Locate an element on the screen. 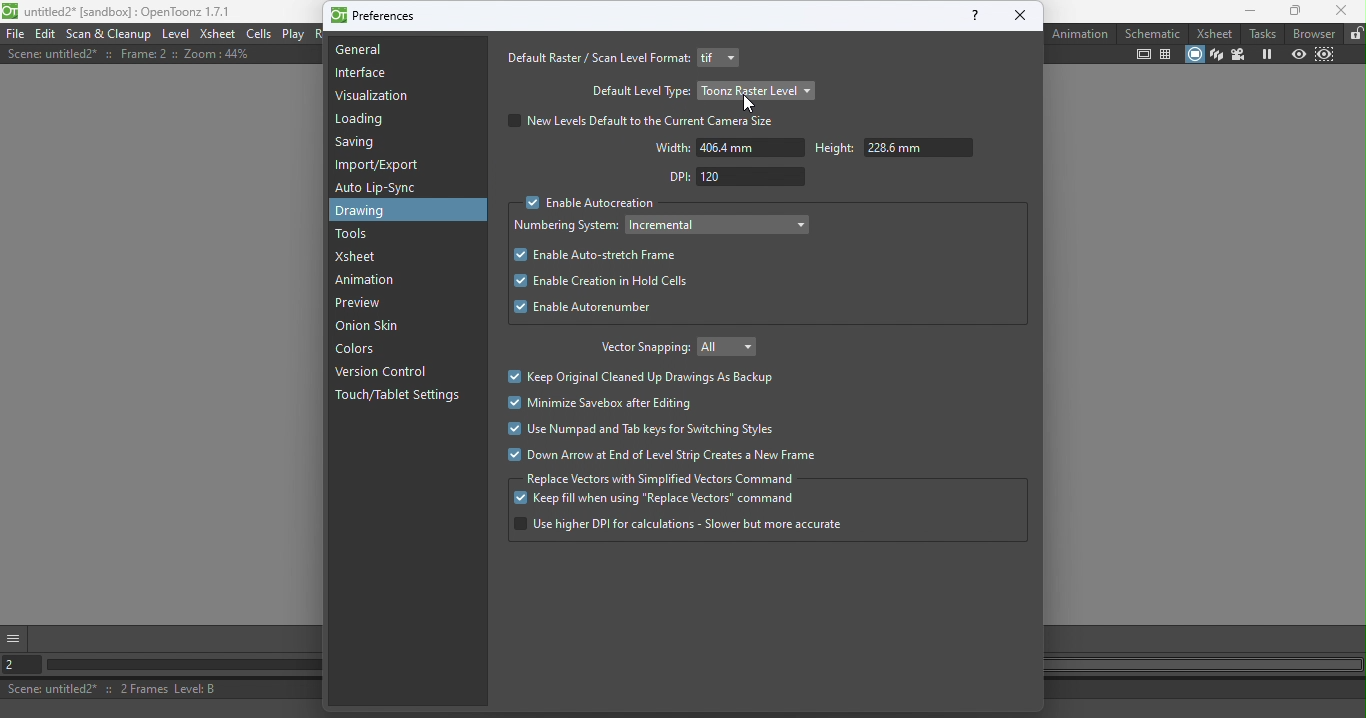 This screenshot has height=718, width=1366. DPI is located at coordinates (733, 176).